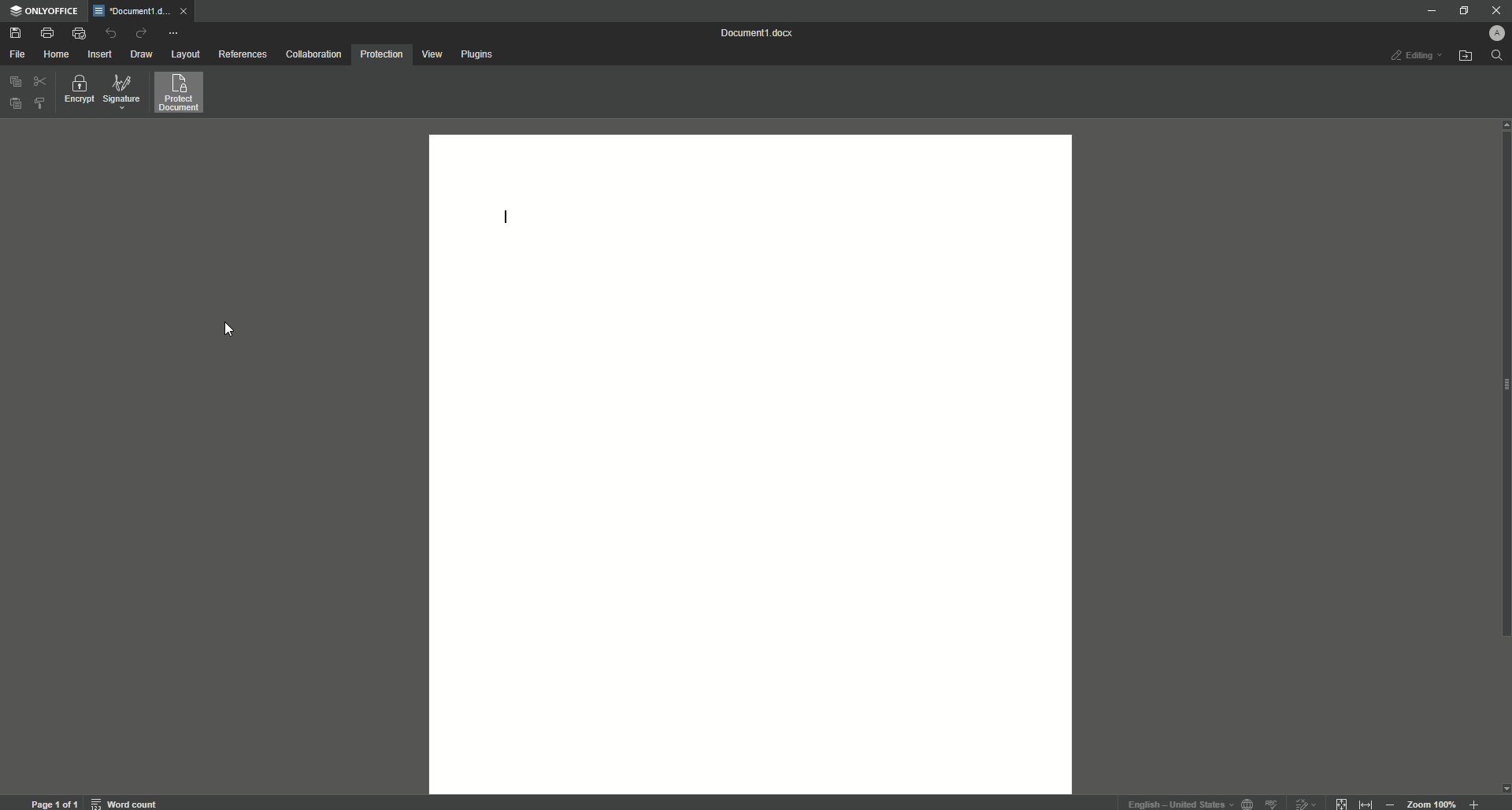  I want to click on References, so click(243, 54).